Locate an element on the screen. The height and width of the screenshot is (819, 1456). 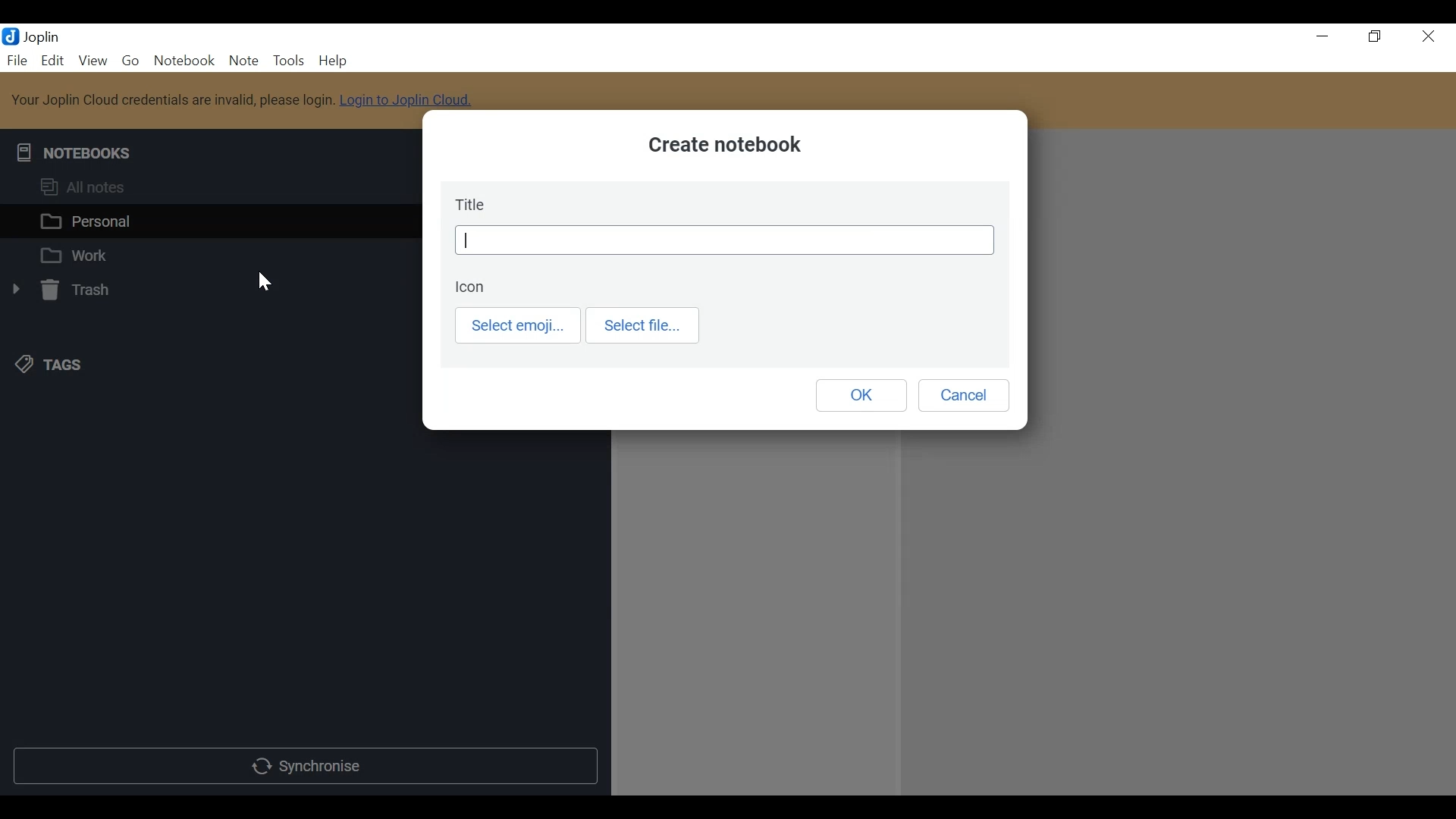
Go is located at coordinates (130, 61).